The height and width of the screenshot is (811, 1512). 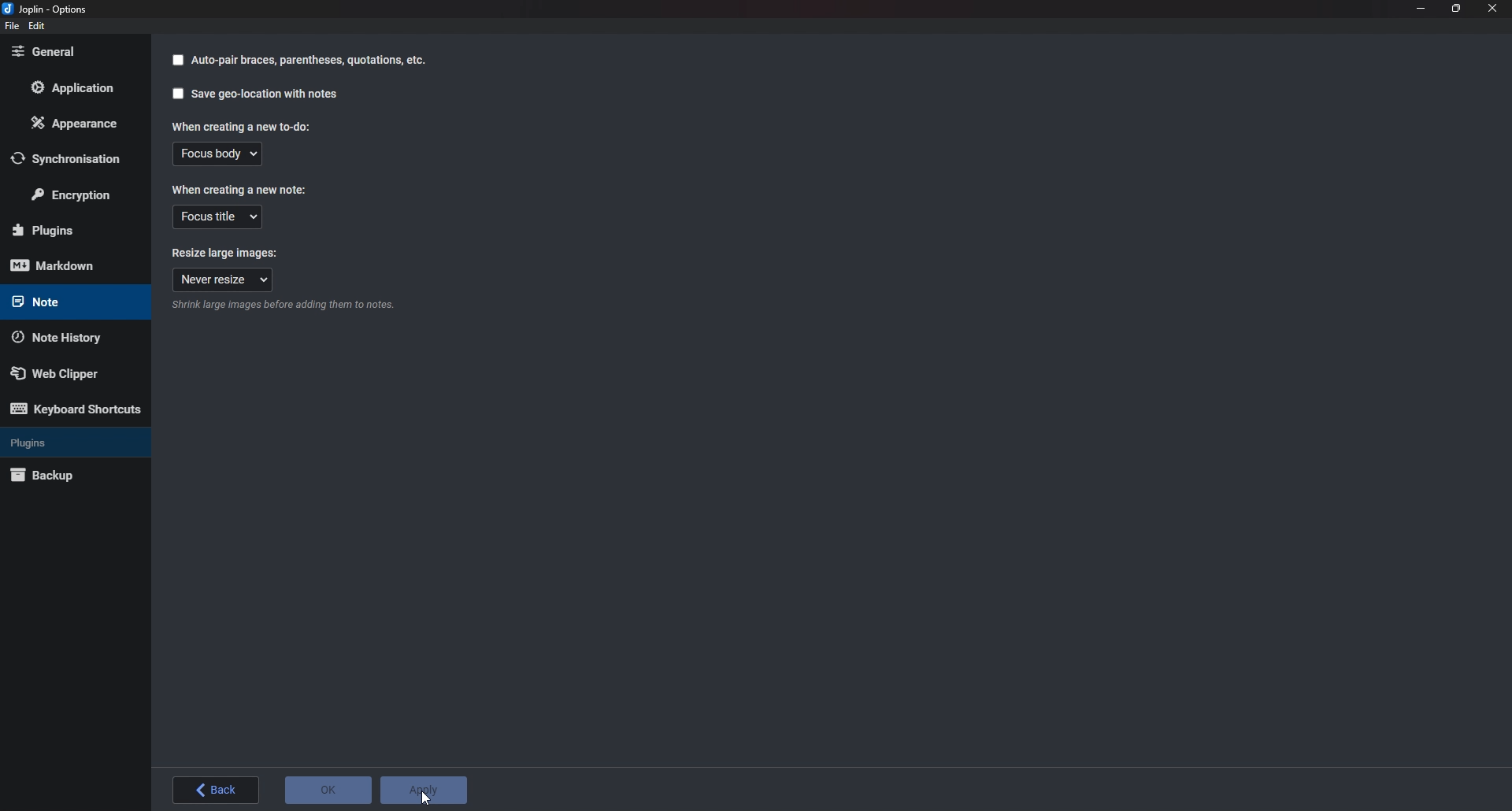 I want to click on When creating a new to do, so click(x=239, y=128).